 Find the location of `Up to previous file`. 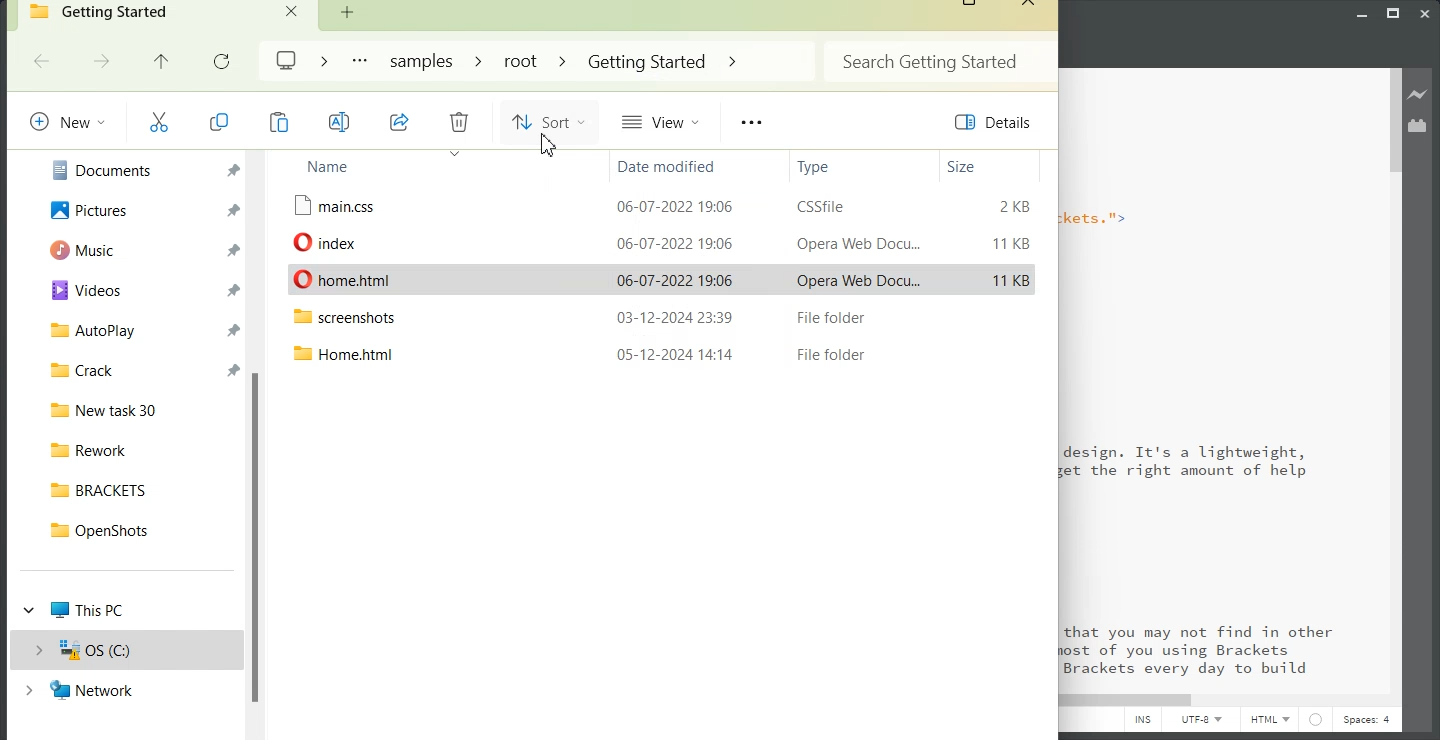

Up to previous file is located at coordinates (161, 61).